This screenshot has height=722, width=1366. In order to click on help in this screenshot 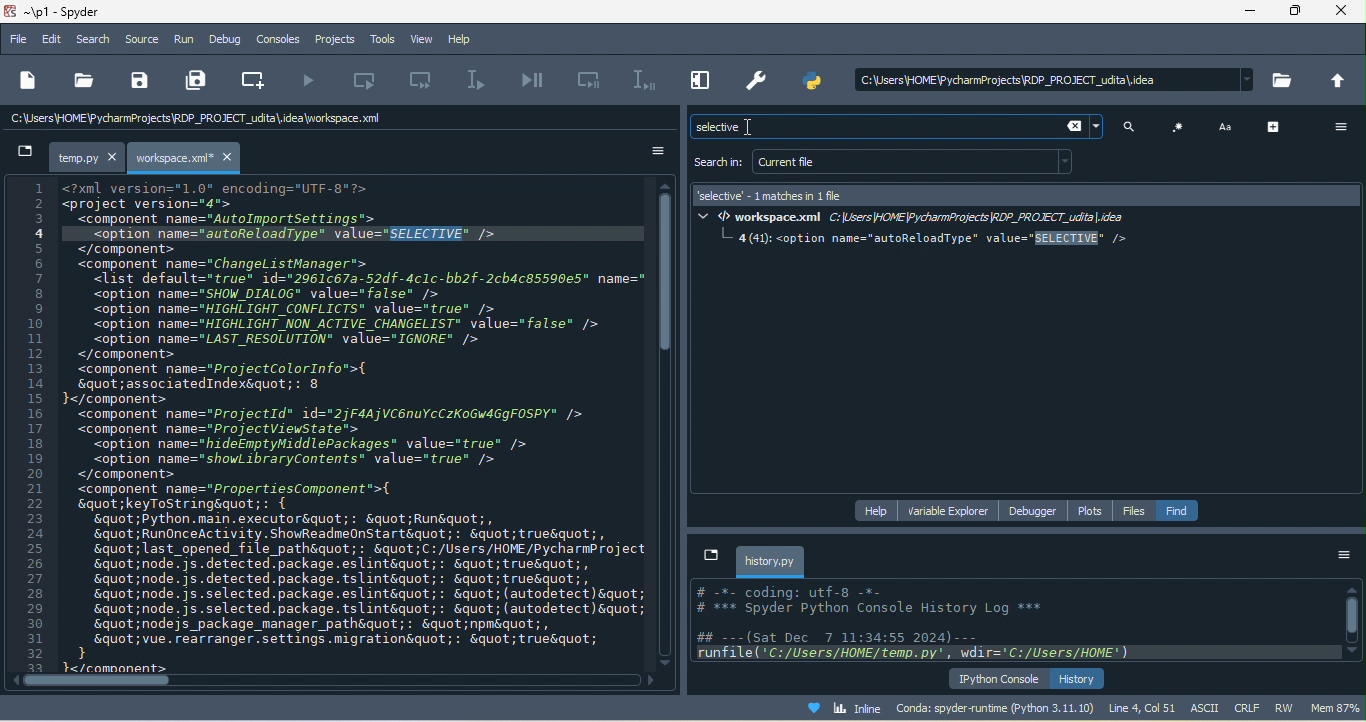, I will do `click(878, 509)`.